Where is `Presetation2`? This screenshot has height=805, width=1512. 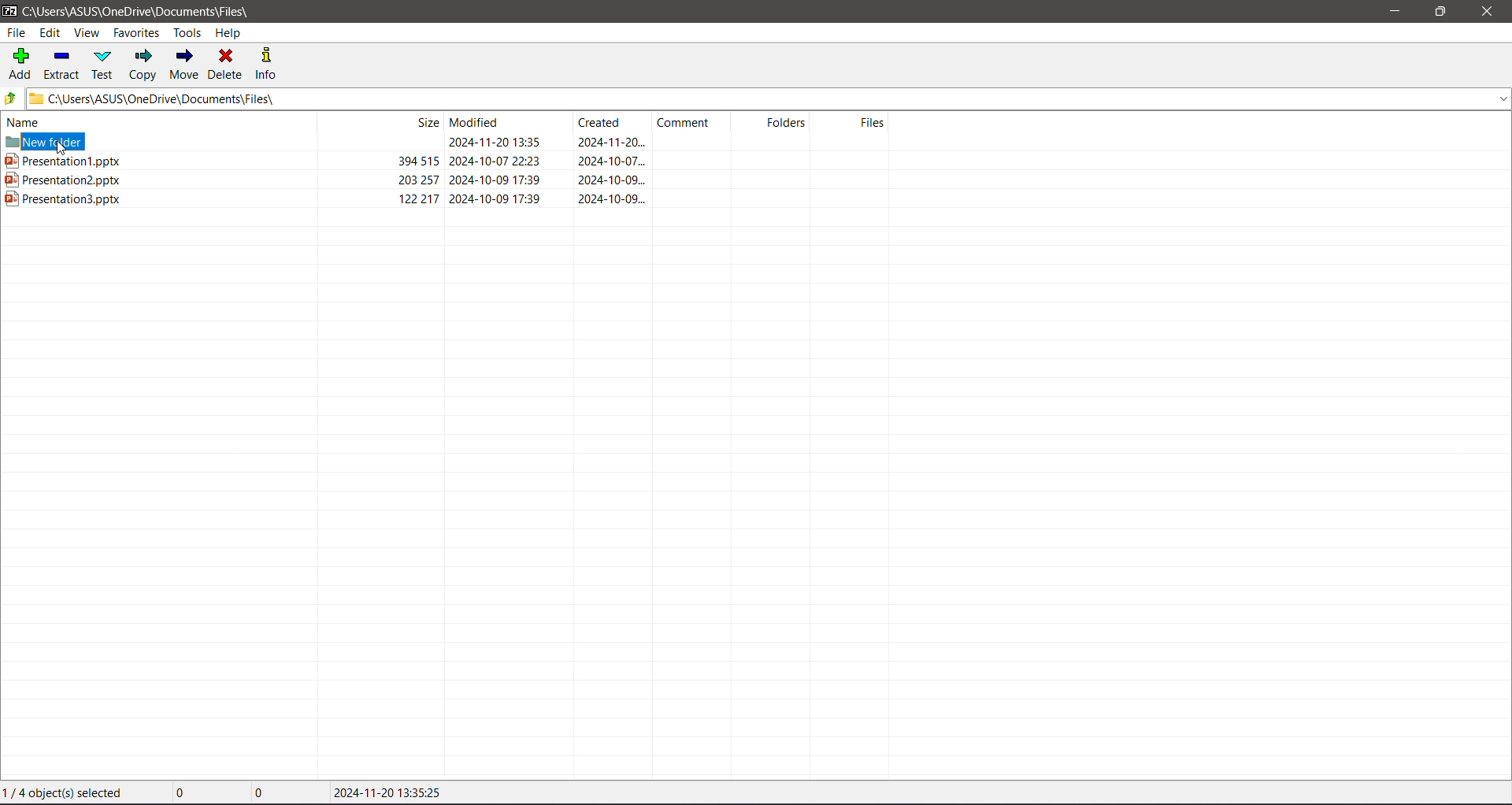 Presetation2 is located at coordinates (325, 181).